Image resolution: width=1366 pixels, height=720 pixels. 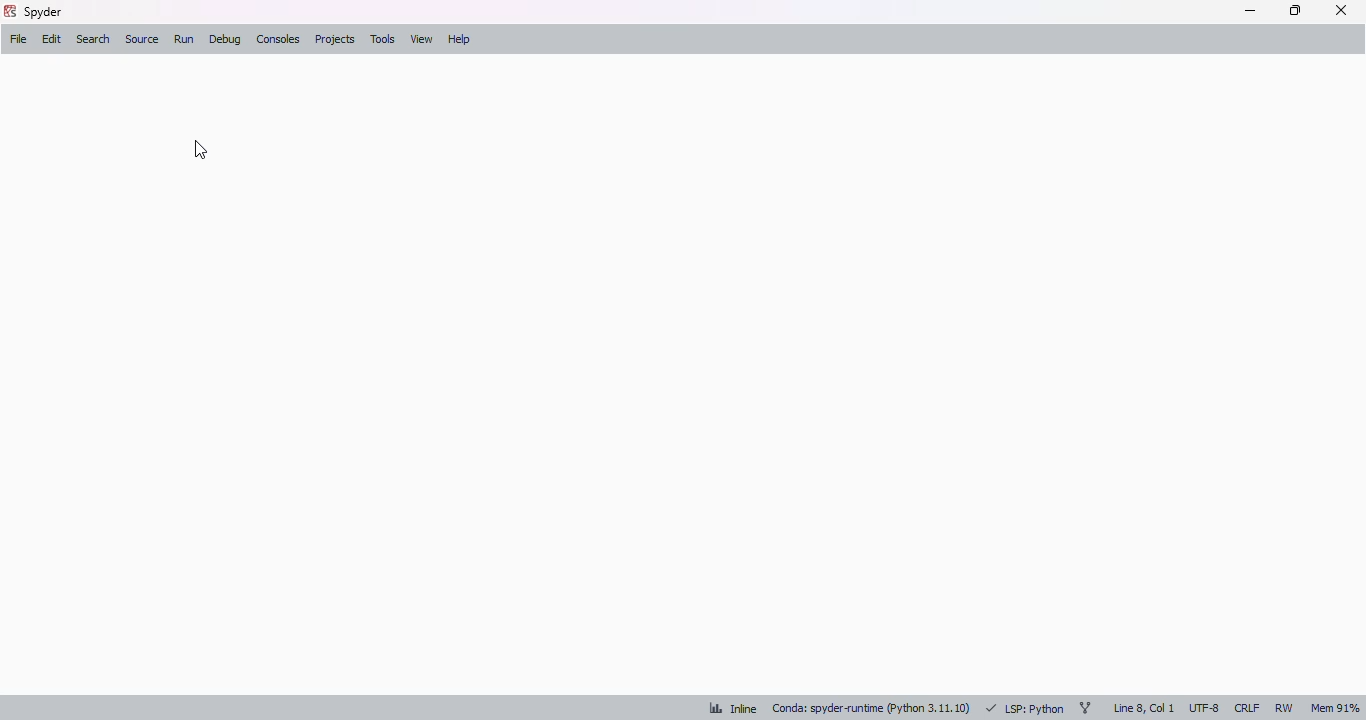 What do you see at coordinates (18, 38) in the screenshot?
I see `file` at bounding box center [18, 38].